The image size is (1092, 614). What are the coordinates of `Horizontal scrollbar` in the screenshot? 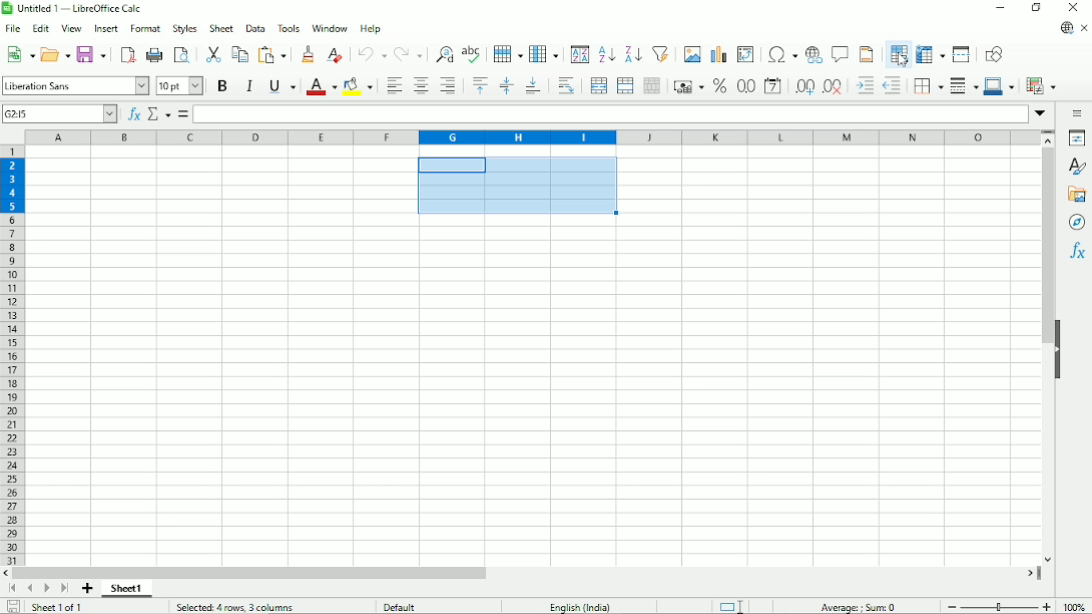 It's located at (251, 573).